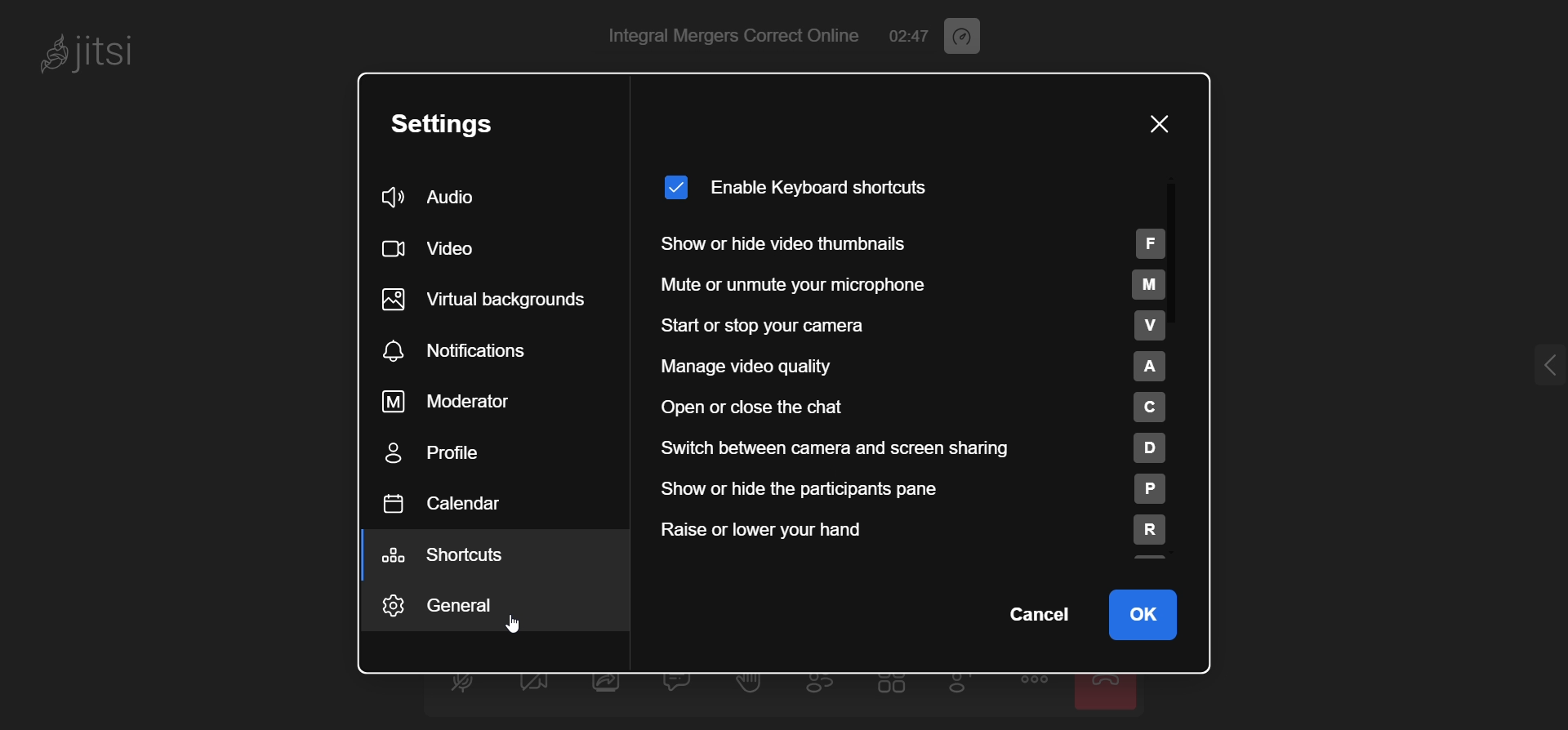  What do you see at coordinates (1037, 616) in the screenshot?
I see `cancel` at bounding box center [1037, 616].